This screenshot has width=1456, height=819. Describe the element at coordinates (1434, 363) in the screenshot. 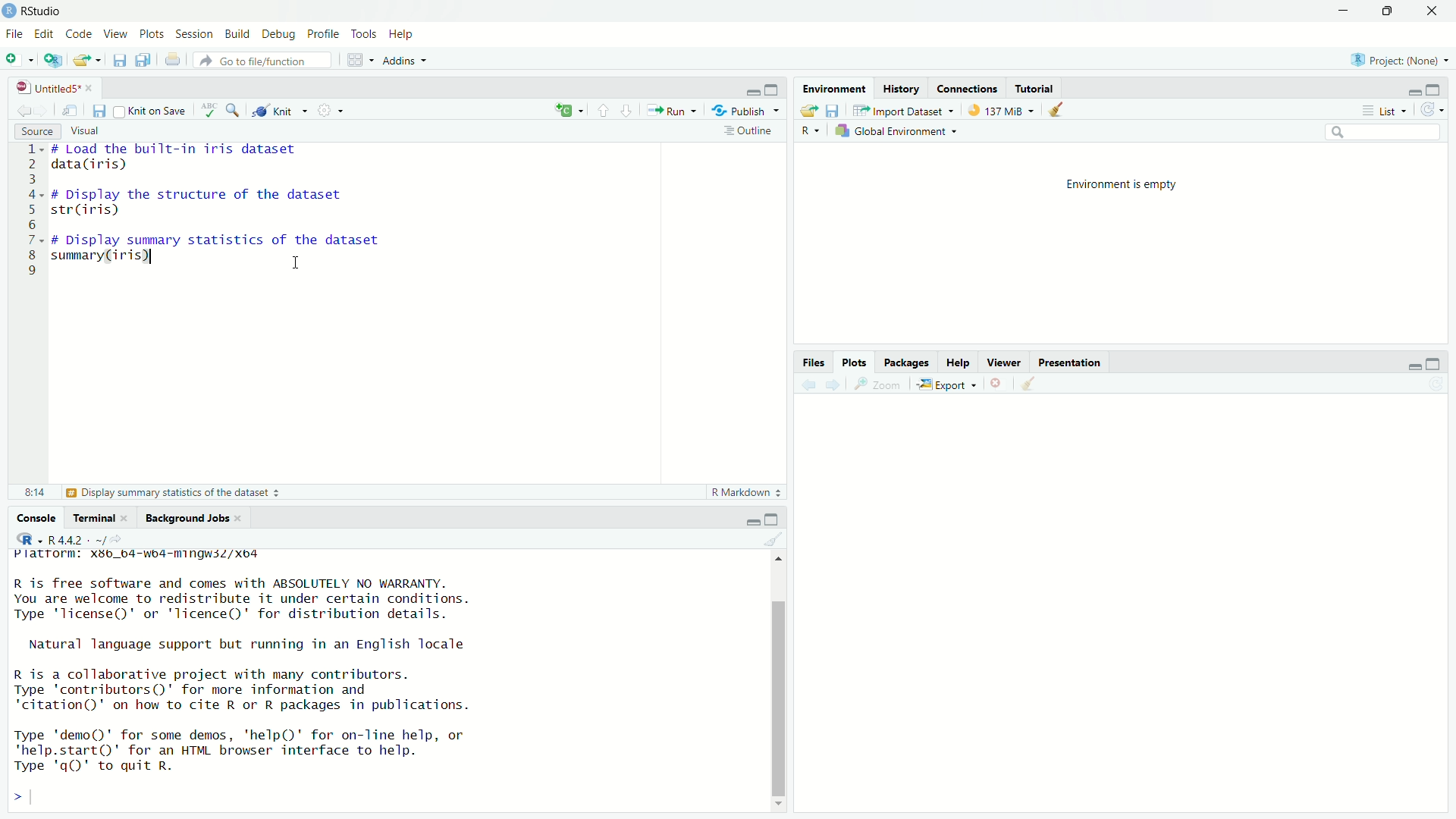

I see `Full Height` at that location.